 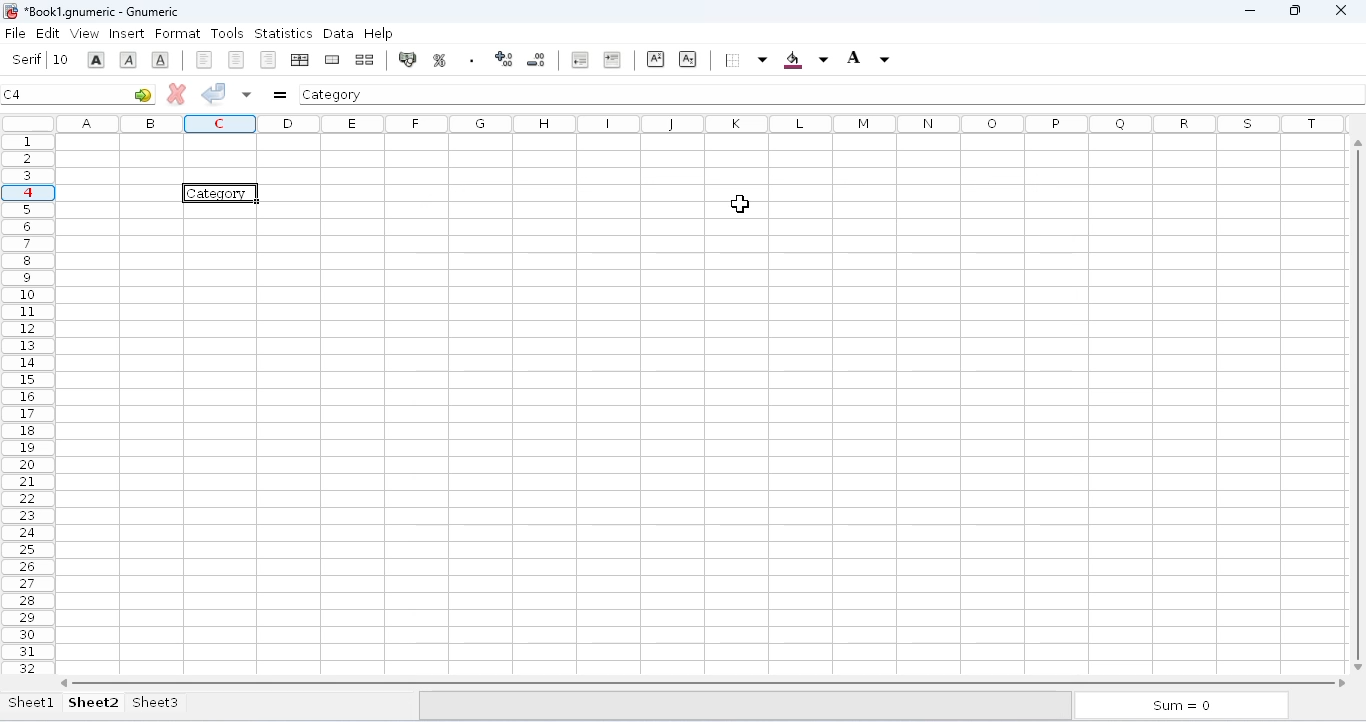 What do you see at coordinates (65, 58) in the screenshot?
I see `font size` at bounding box center [65, 58].